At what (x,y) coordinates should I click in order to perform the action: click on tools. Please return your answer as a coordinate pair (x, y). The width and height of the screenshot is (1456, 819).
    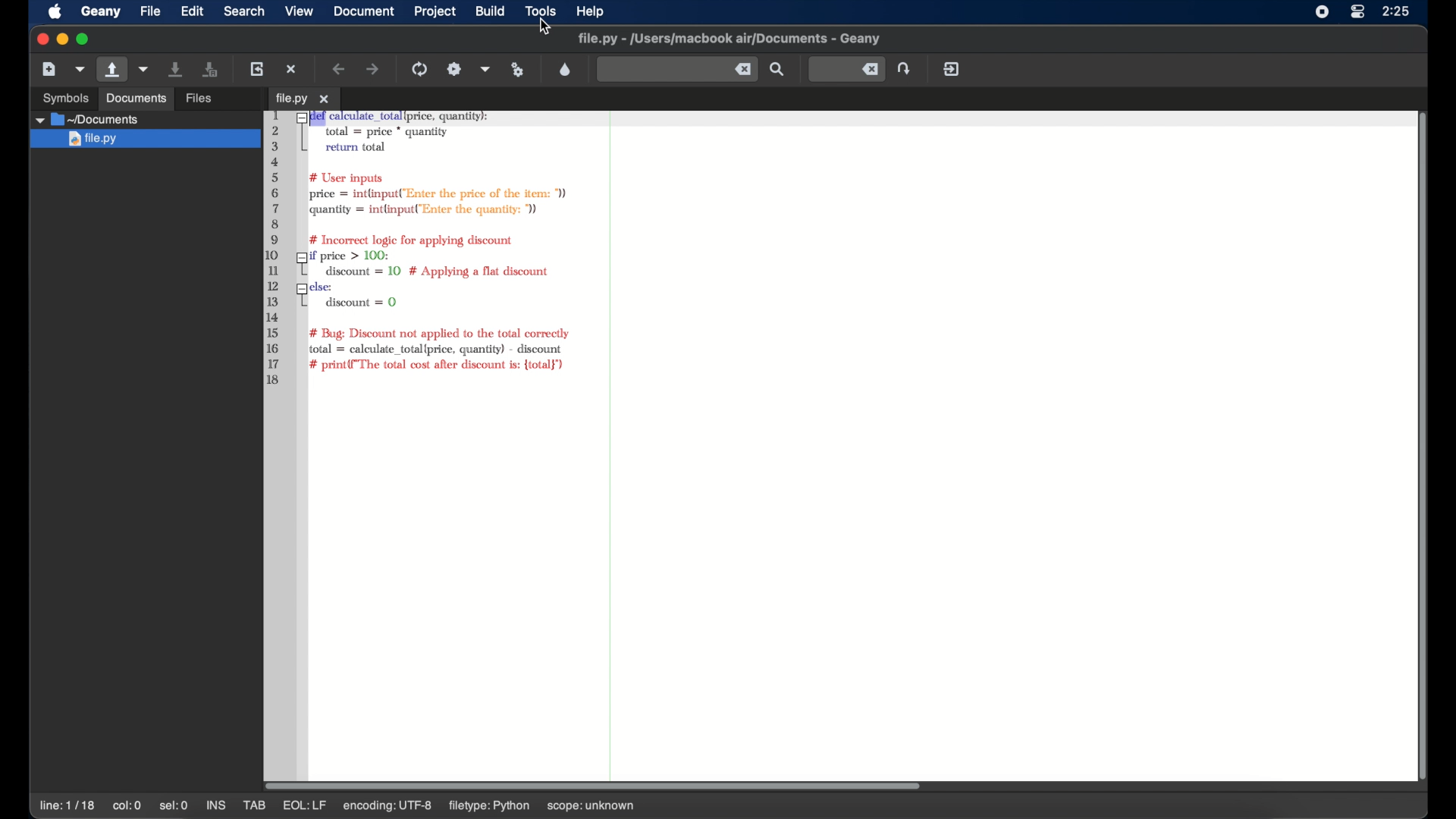
    Looking at the image, I should click on (541, 11).